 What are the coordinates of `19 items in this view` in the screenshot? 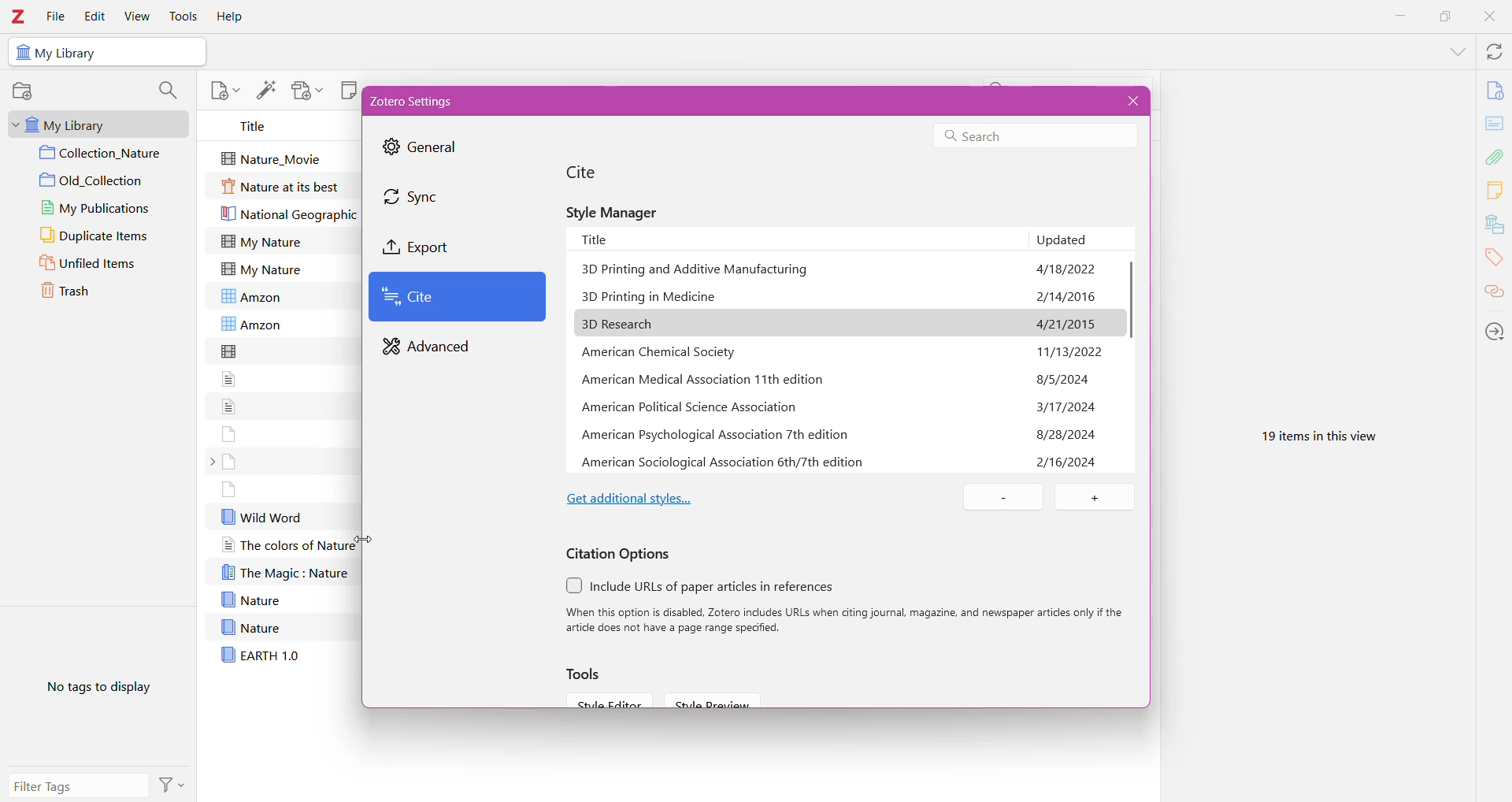 It's located at (1314, 433).